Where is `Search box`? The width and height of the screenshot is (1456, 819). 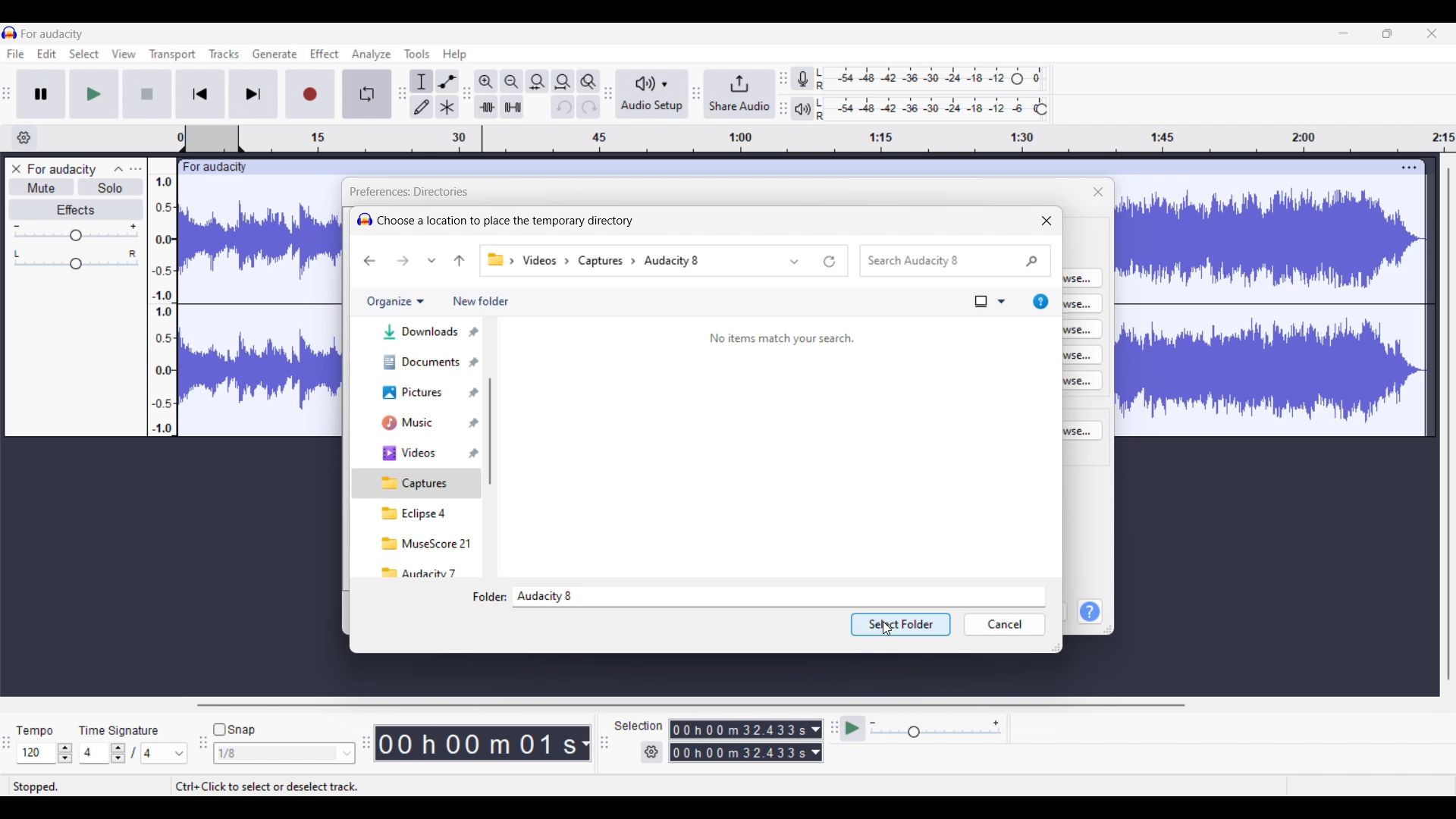 Search box is located at coordinates (955, 261).